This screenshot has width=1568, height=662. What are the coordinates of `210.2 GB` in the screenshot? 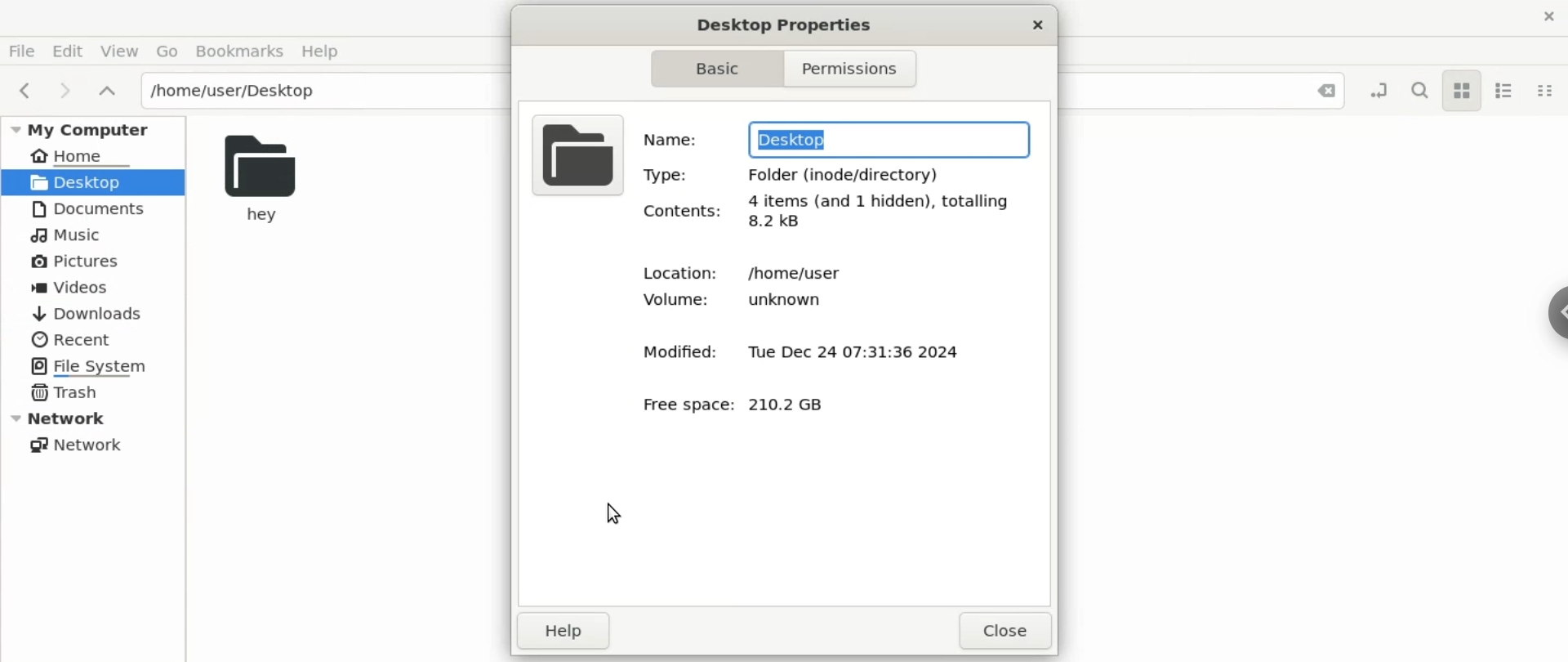 It's located at (790, 407).